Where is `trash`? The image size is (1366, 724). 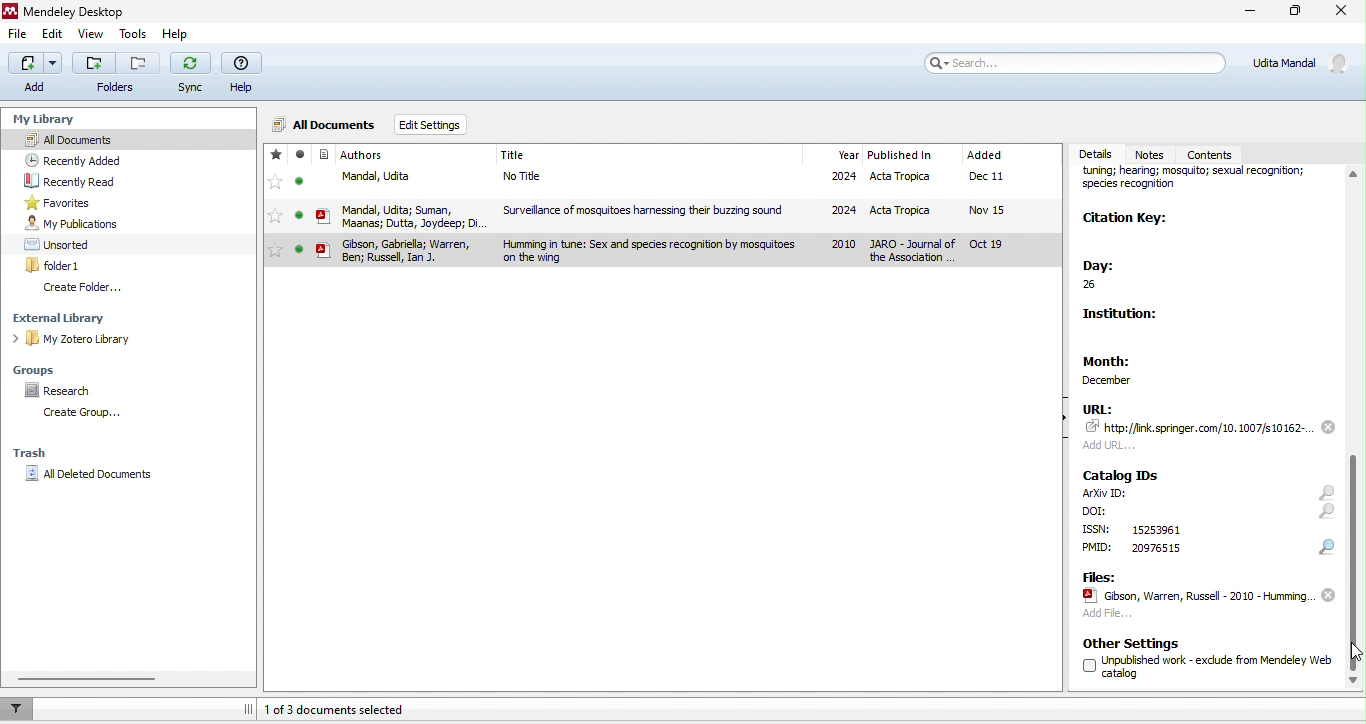
trash is located at coordinates (32, 455).